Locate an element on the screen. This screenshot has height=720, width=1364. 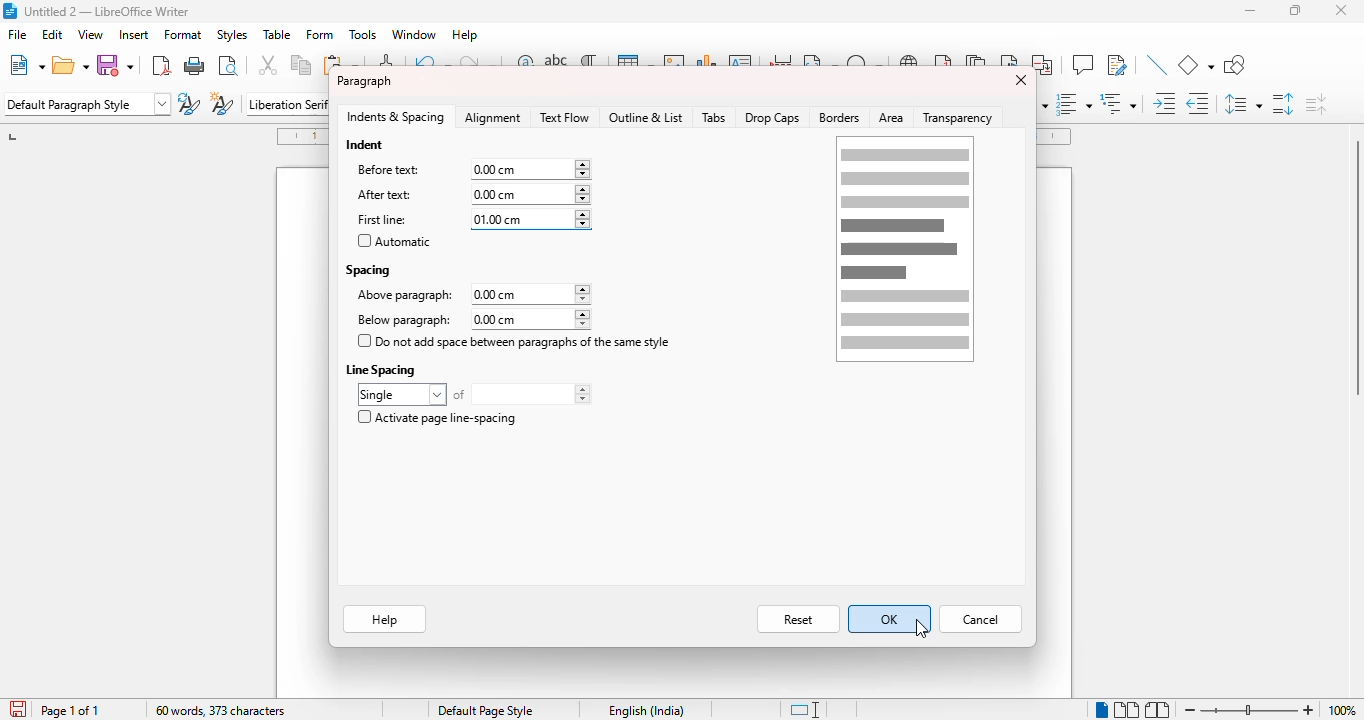
set page style is located at coordinates (87, 104).